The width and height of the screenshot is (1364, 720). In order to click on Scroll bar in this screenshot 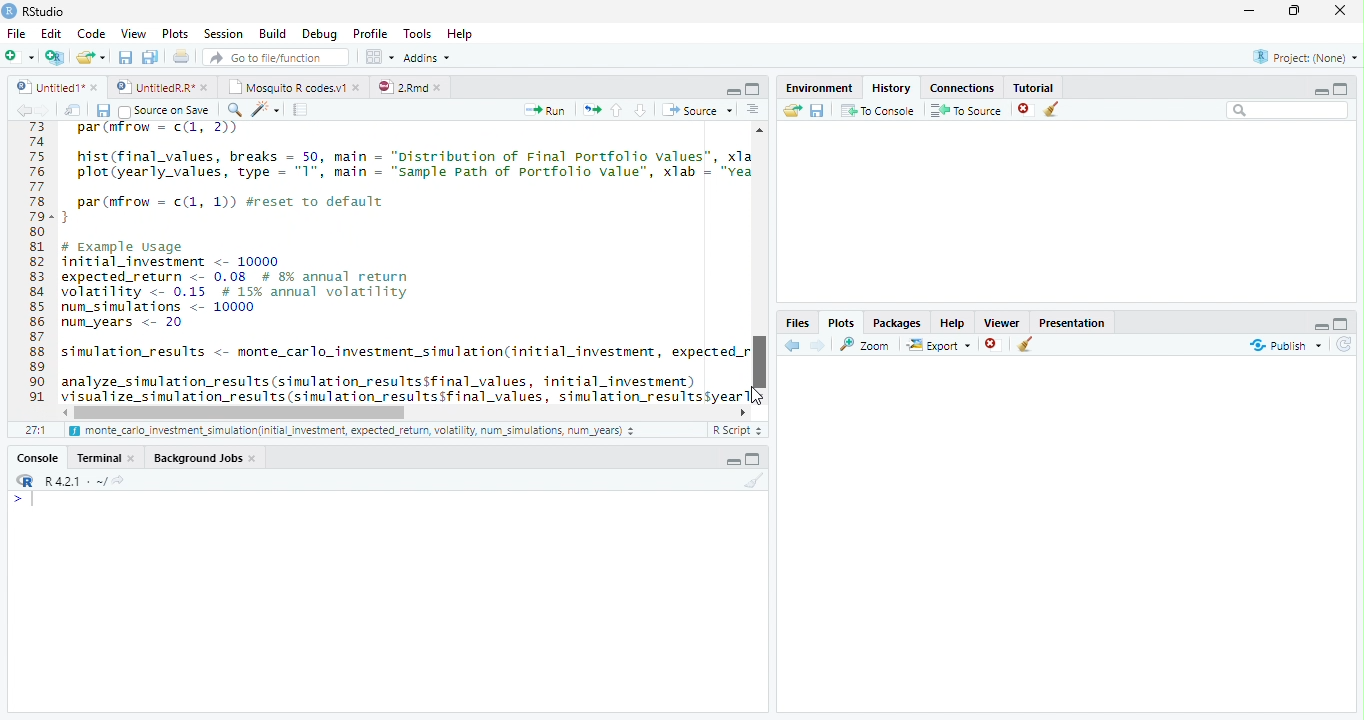, I will do `click(244, 412)`.